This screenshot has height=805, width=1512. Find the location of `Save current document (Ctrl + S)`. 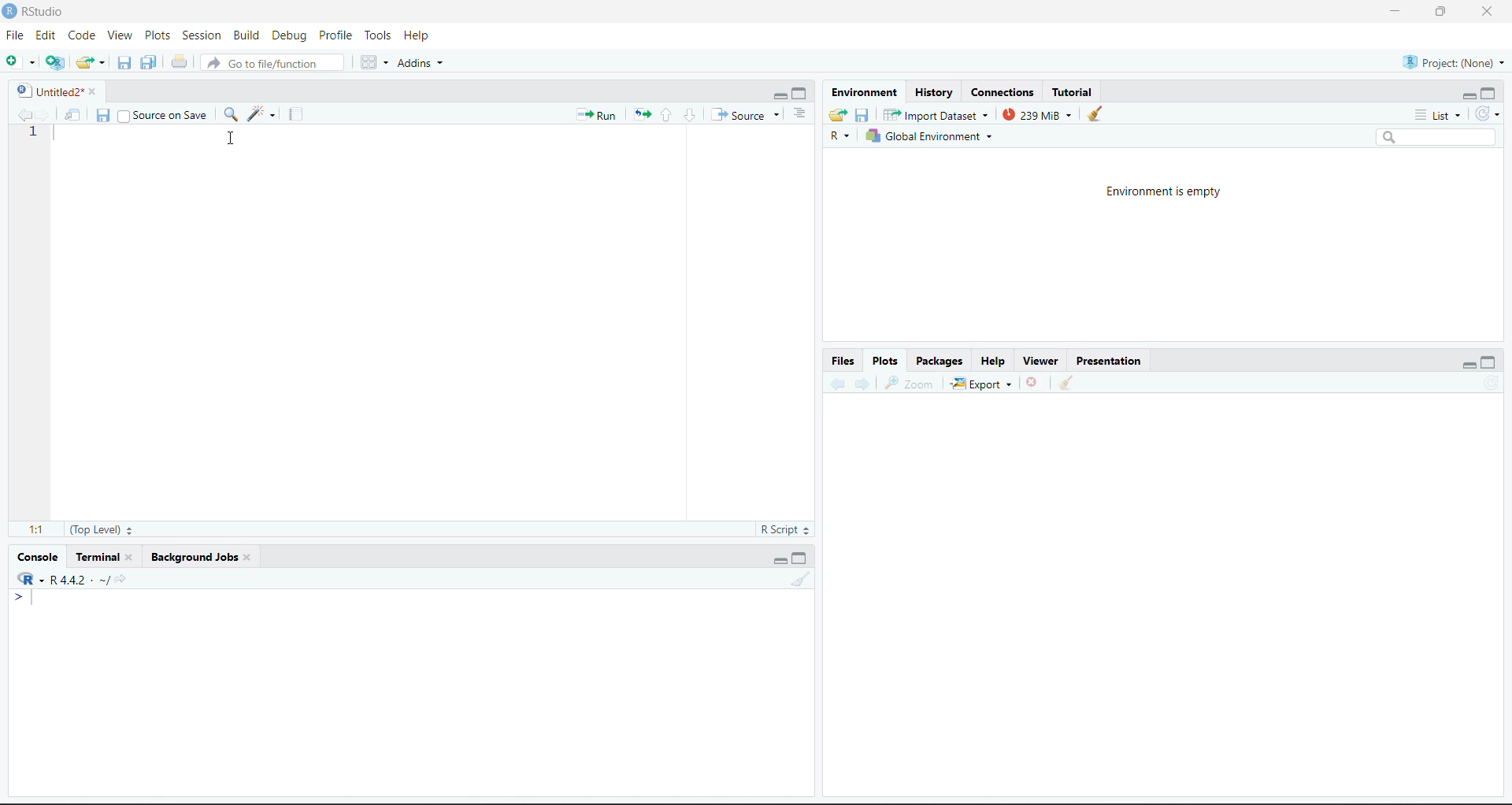

Save current document (Ctrl + S) is located at coordinates (124, 61).